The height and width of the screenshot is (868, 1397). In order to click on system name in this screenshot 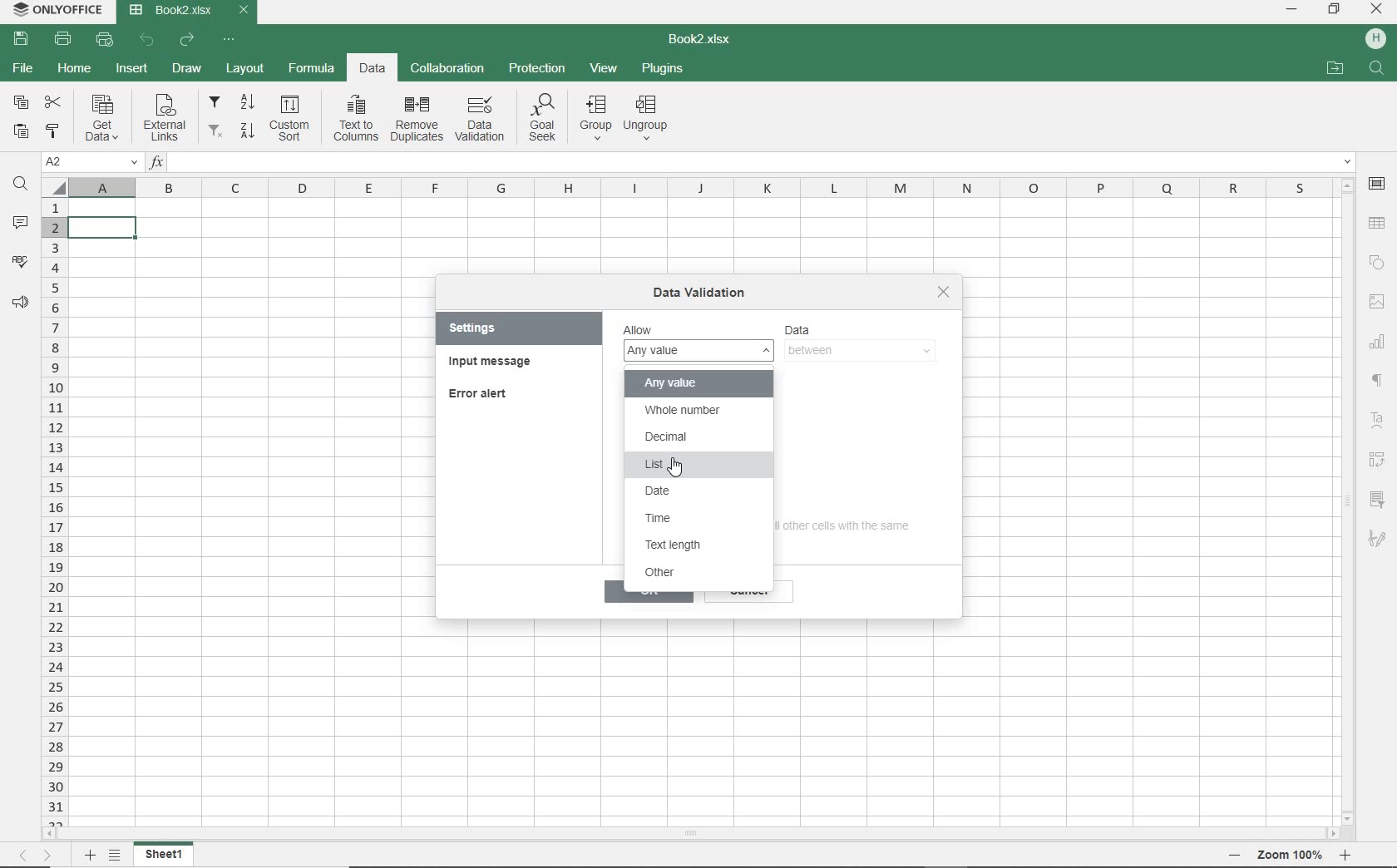, I will do `click(58, 11)`.